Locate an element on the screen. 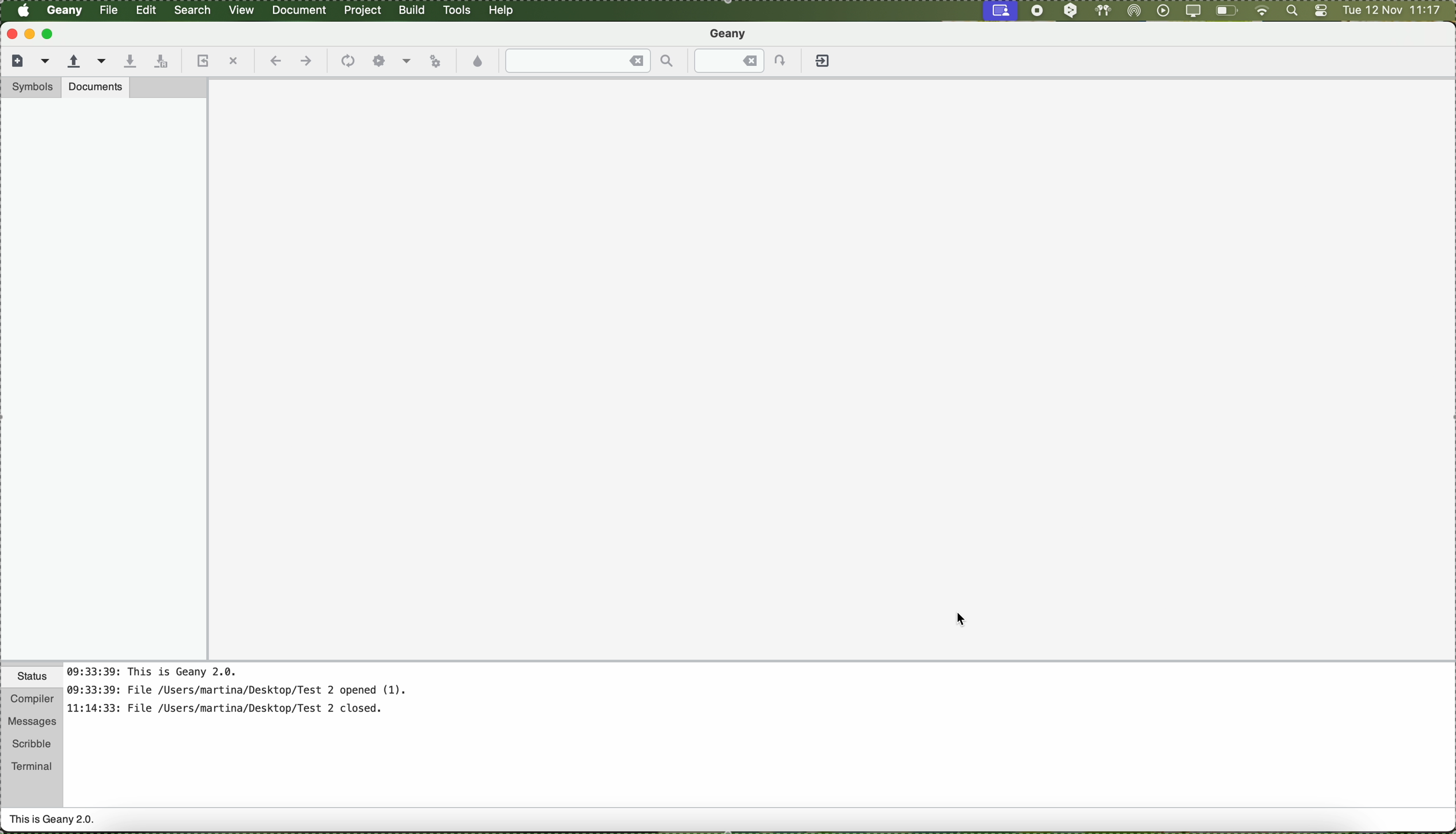  navigate back a location is located at coordinates (274, 61).